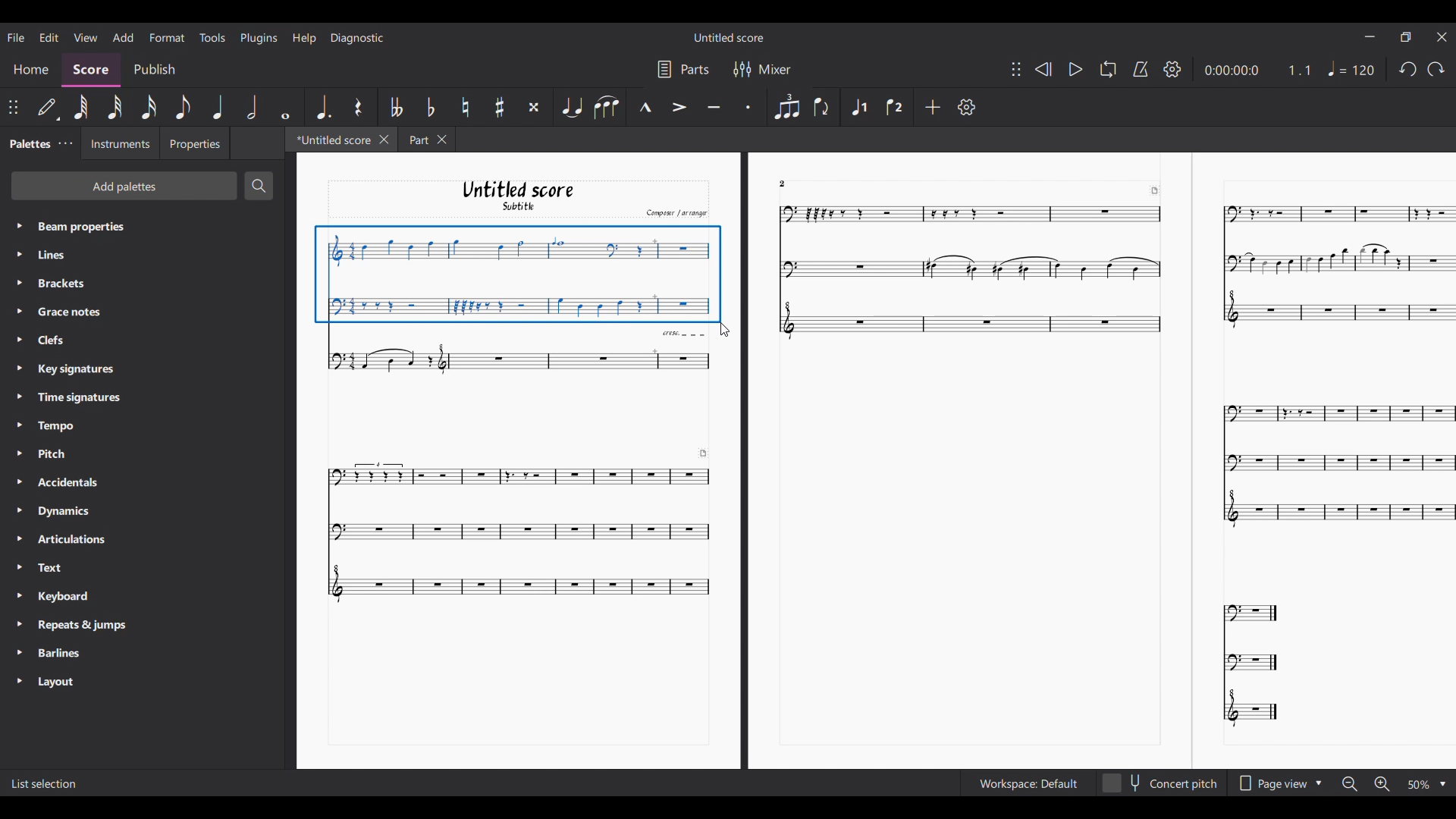  I want to click on File, so click(16, 36).